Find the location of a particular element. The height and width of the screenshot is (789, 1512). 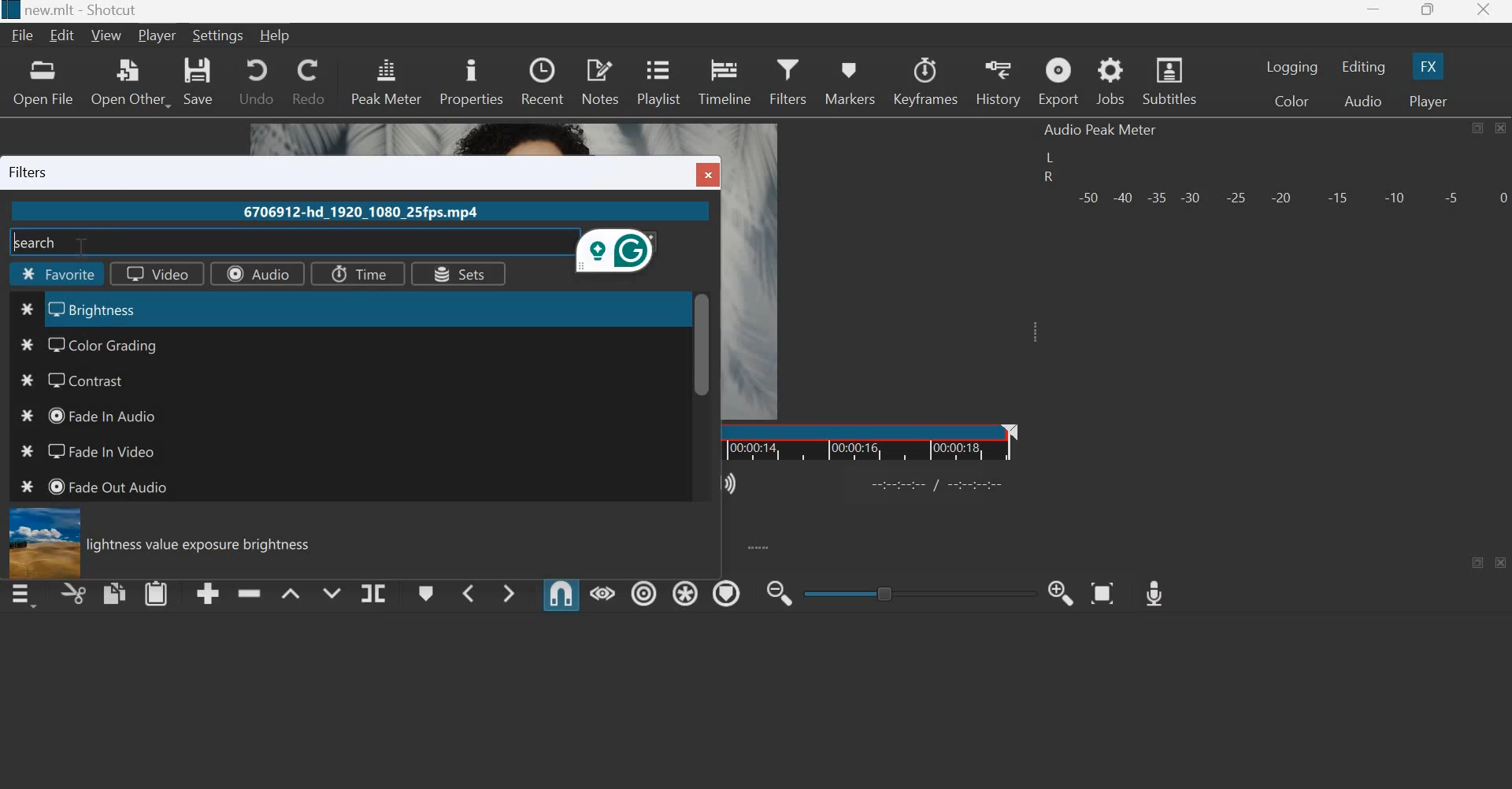

Editing is located at coordinates (1366, 67).